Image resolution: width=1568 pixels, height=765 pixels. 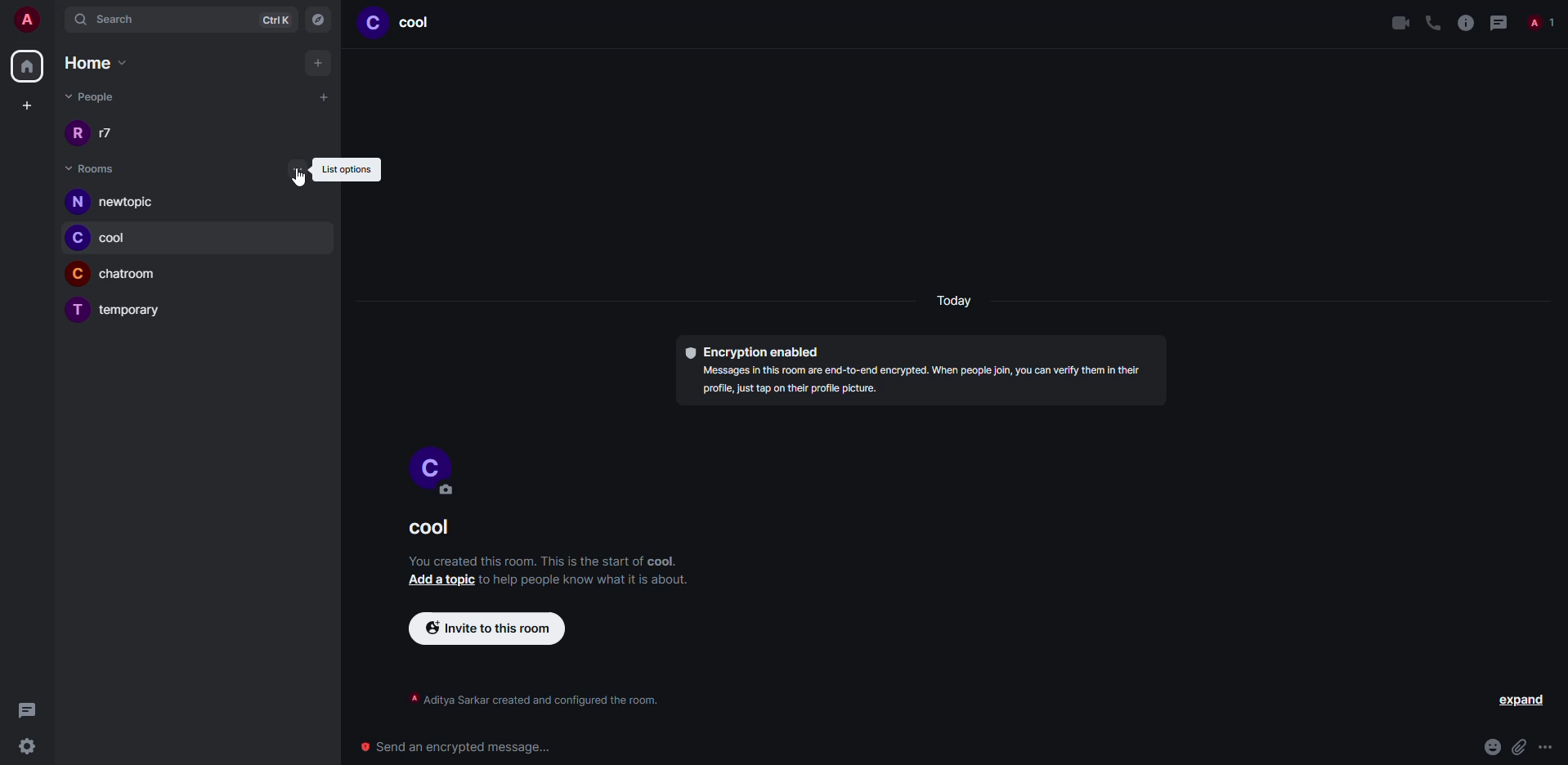 What do you see at coordinates (318, 62) in the screenshot?
I see `add` at bounding box center [318, 62].